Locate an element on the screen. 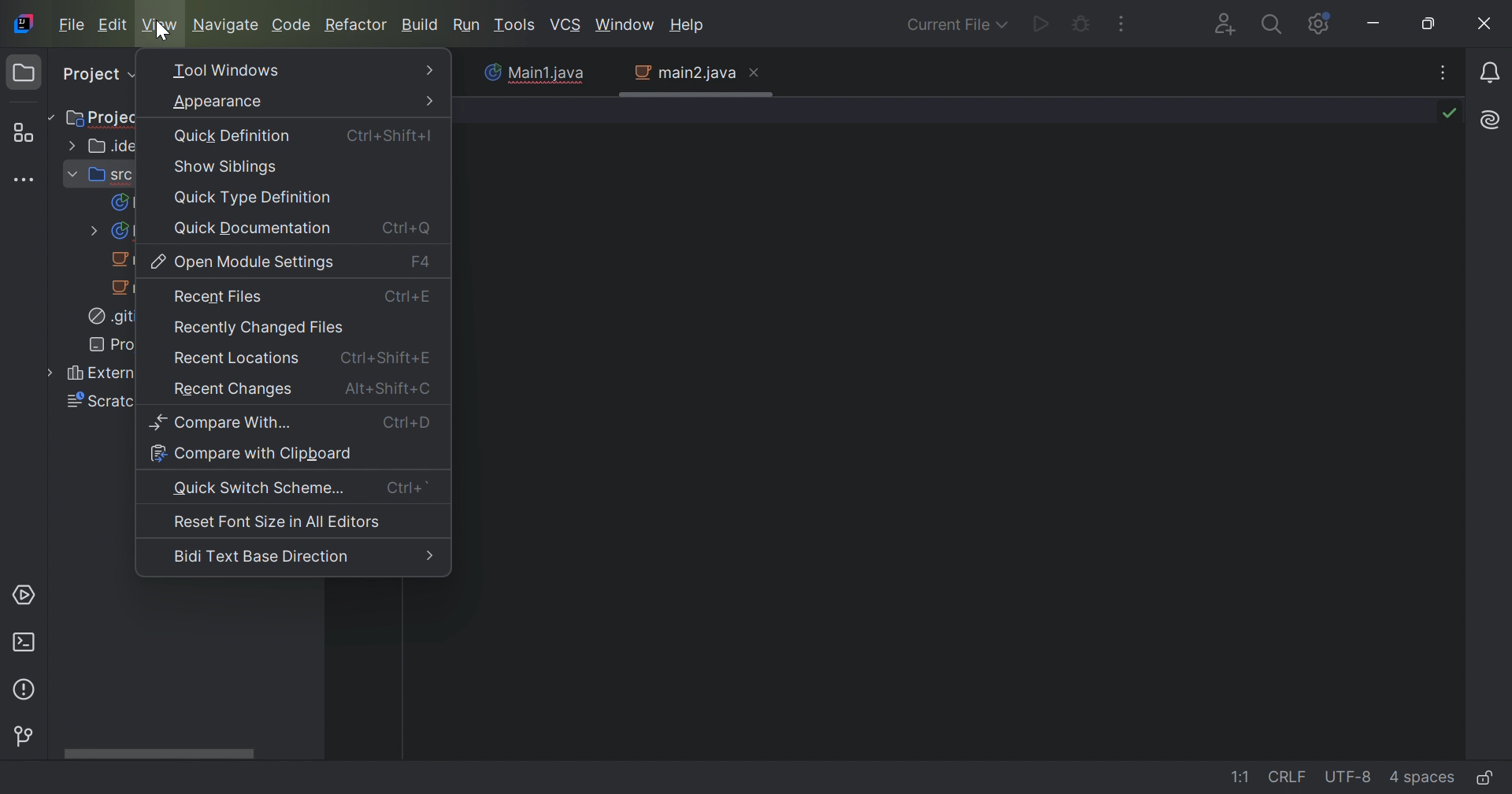  No problems found is located at coordinates (1453, 114).